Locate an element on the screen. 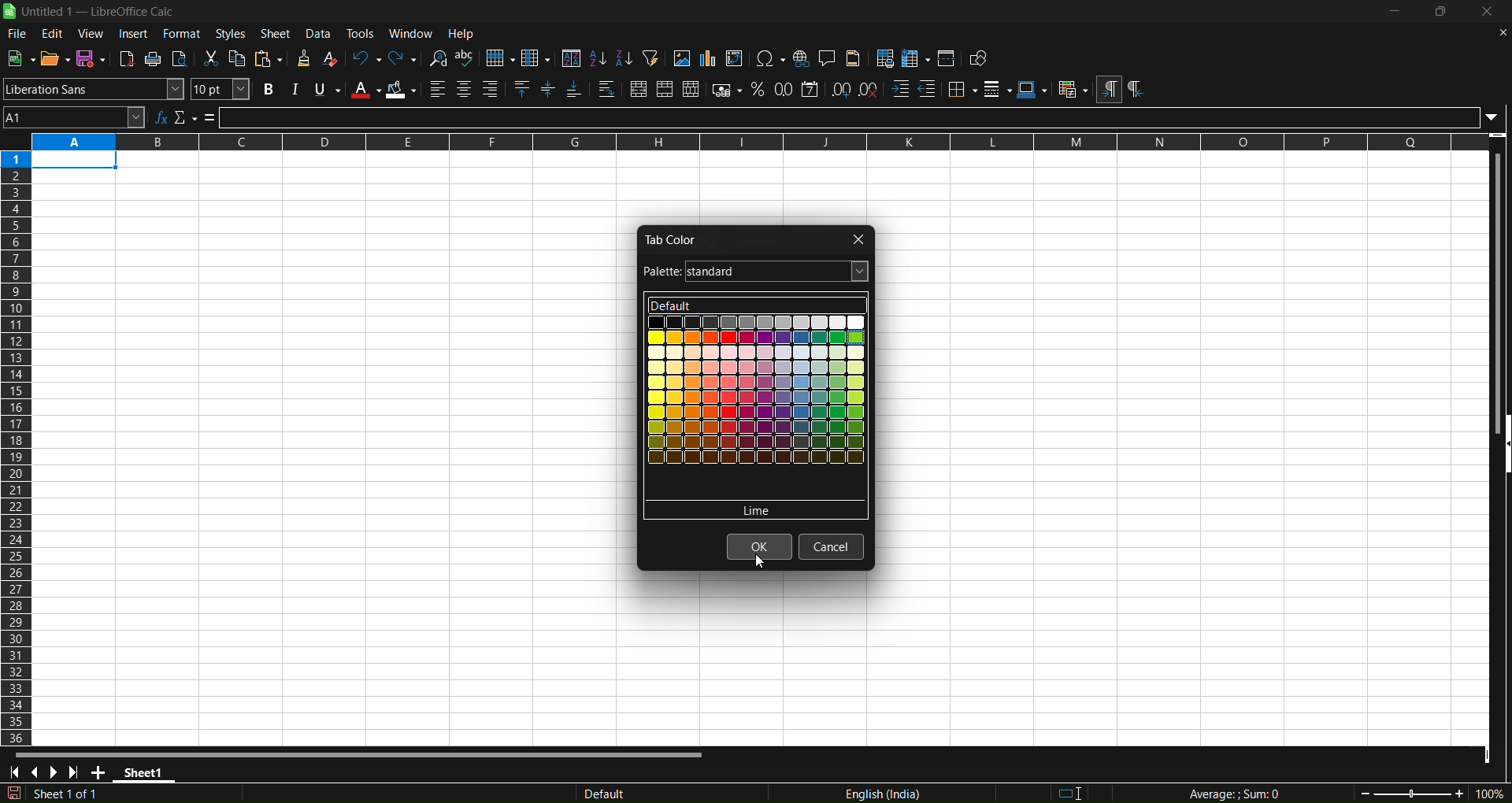  add decimal place is located at coordinates (843, 88).